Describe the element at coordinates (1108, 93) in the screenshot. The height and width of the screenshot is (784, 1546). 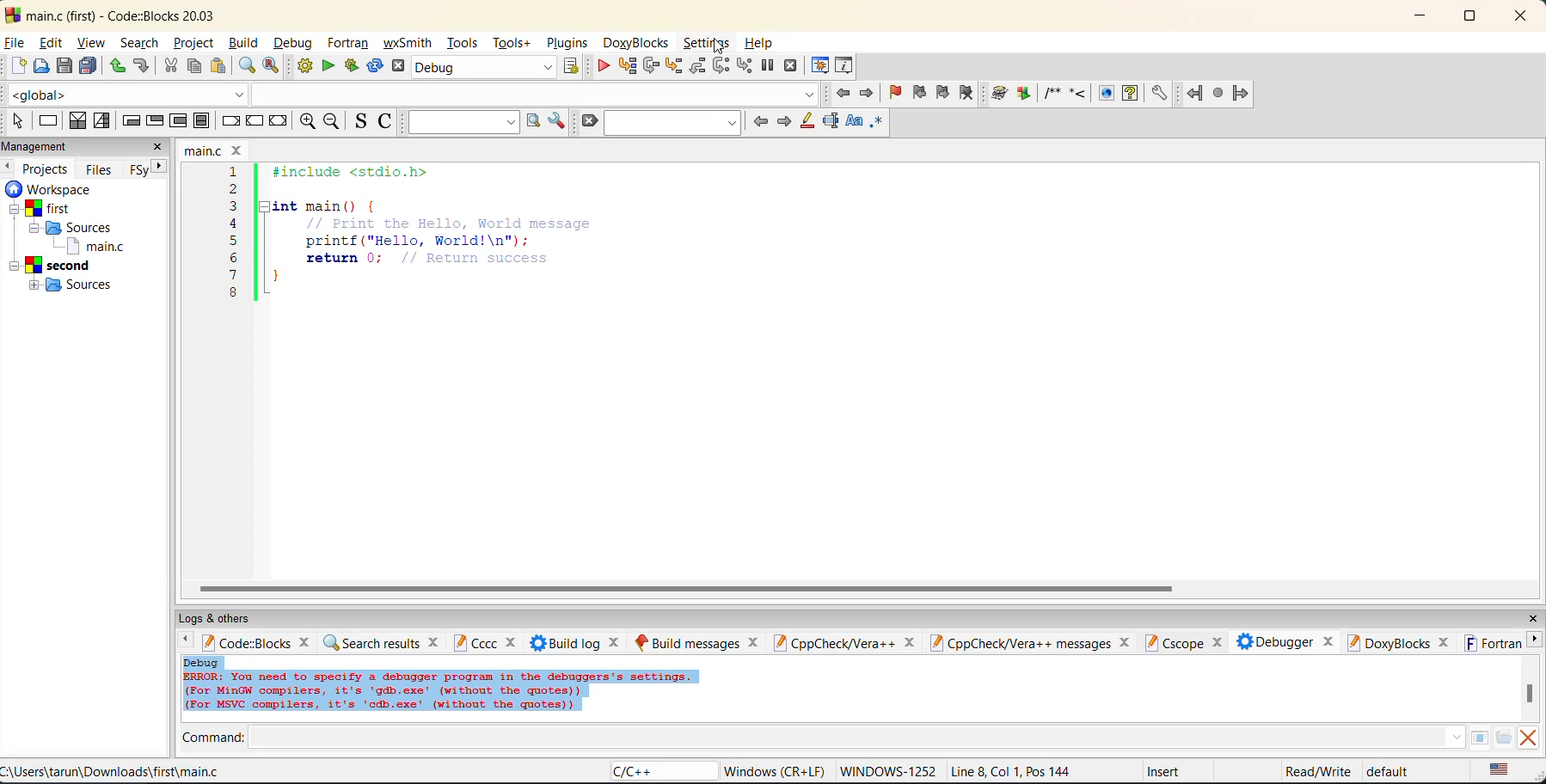
I see `run html documentation` at that location.